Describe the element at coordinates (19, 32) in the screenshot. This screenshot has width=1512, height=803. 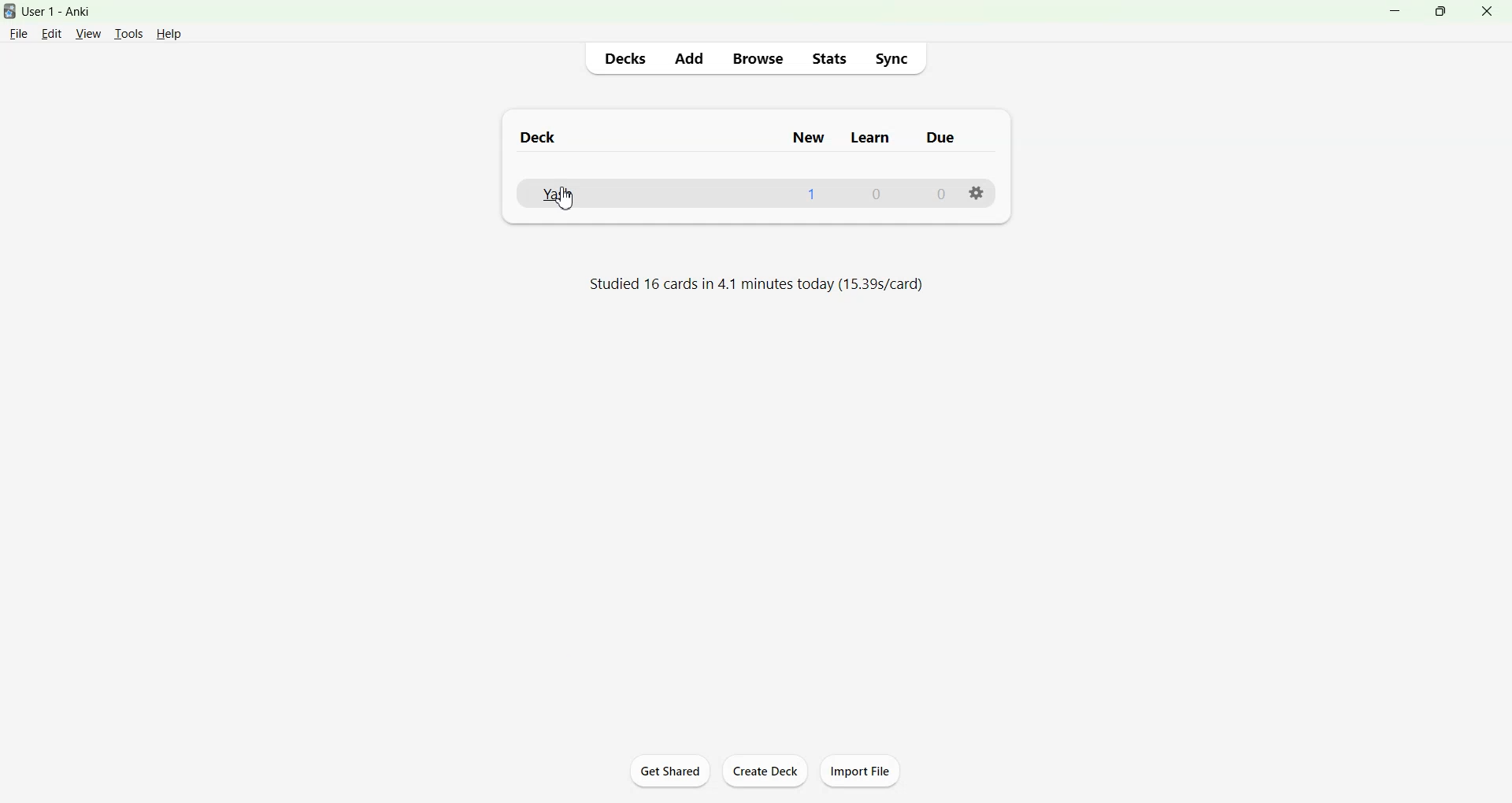
I see `File` at that location.